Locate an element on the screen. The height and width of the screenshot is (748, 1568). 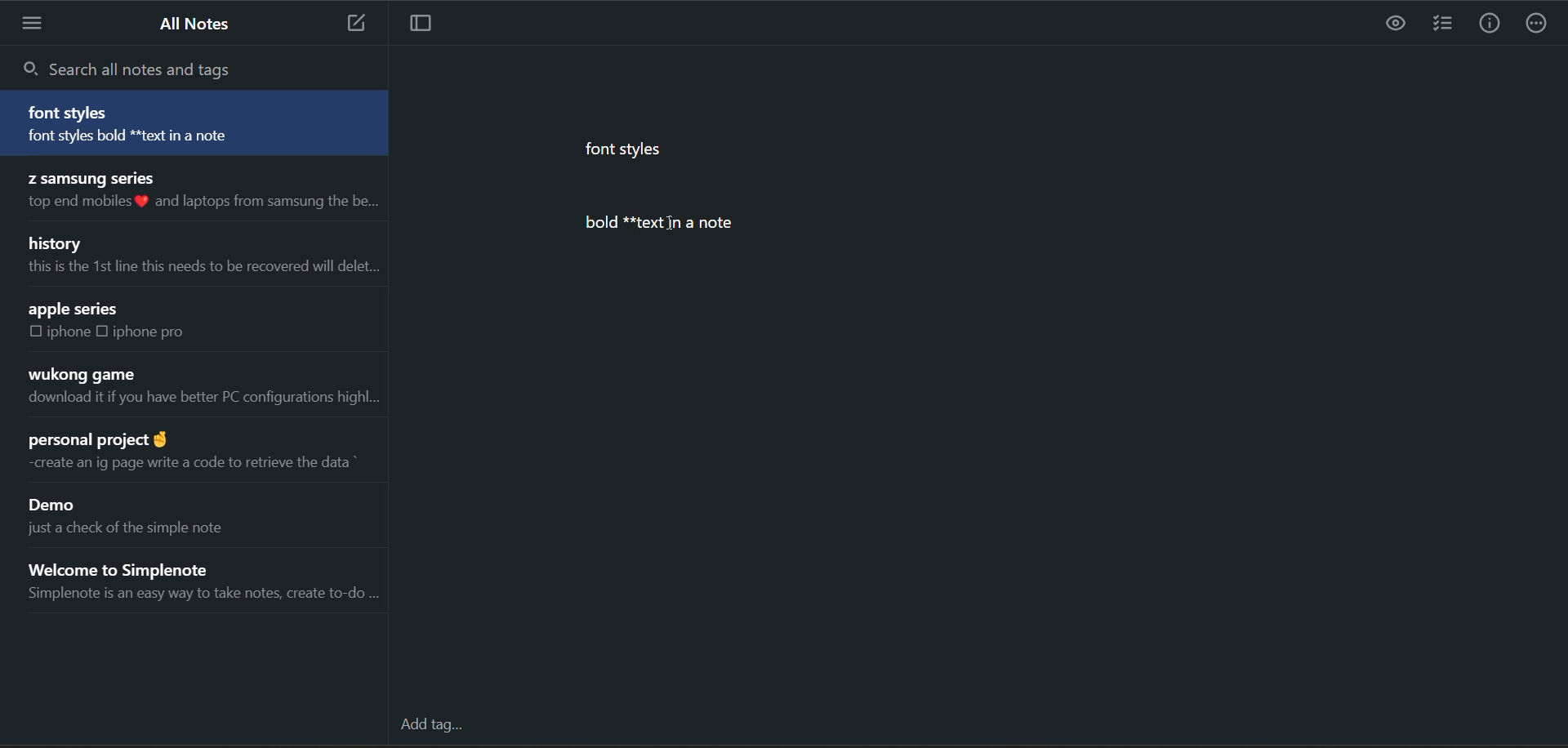
download it if you have better PC configurations highl... is located at coordinates (202, 401).